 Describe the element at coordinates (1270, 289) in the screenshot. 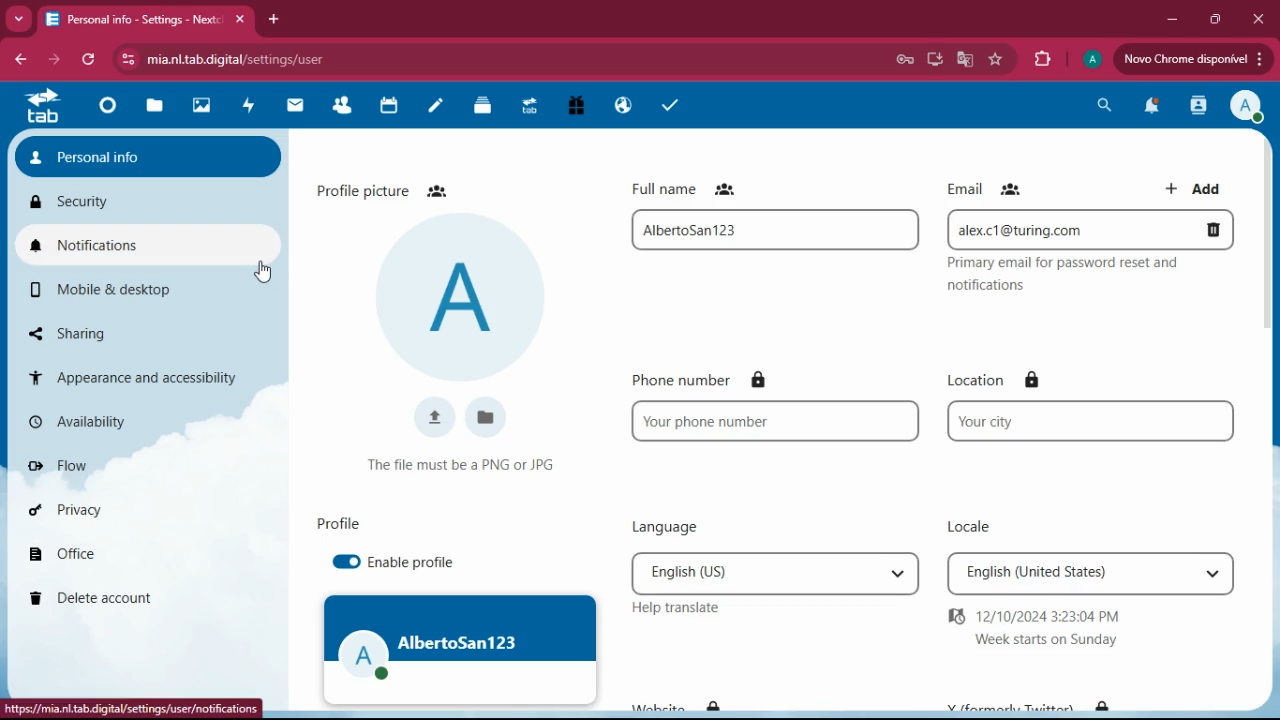

I see `scroll` at that location.